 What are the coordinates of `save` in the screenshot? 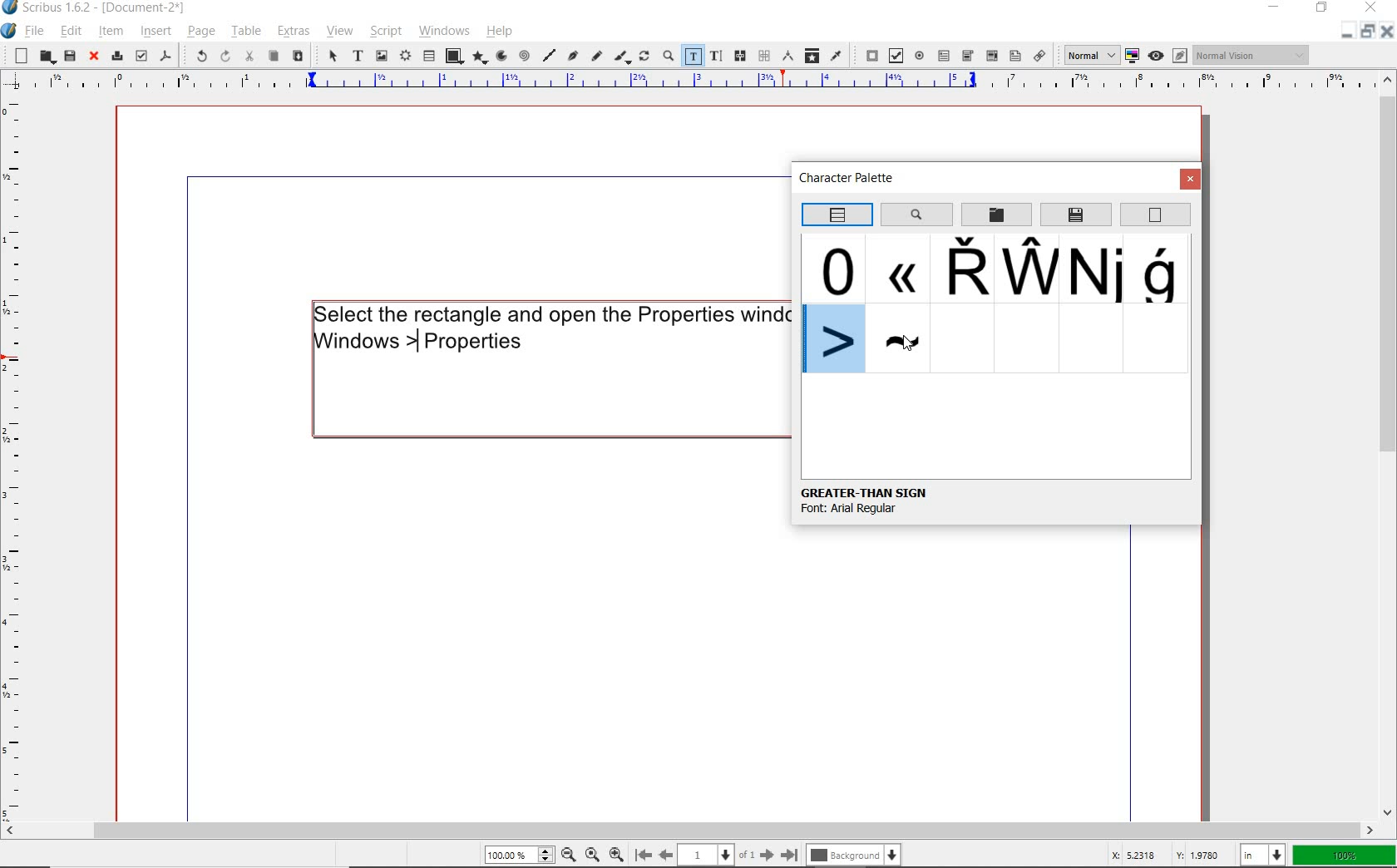 It's located at (69, 56).